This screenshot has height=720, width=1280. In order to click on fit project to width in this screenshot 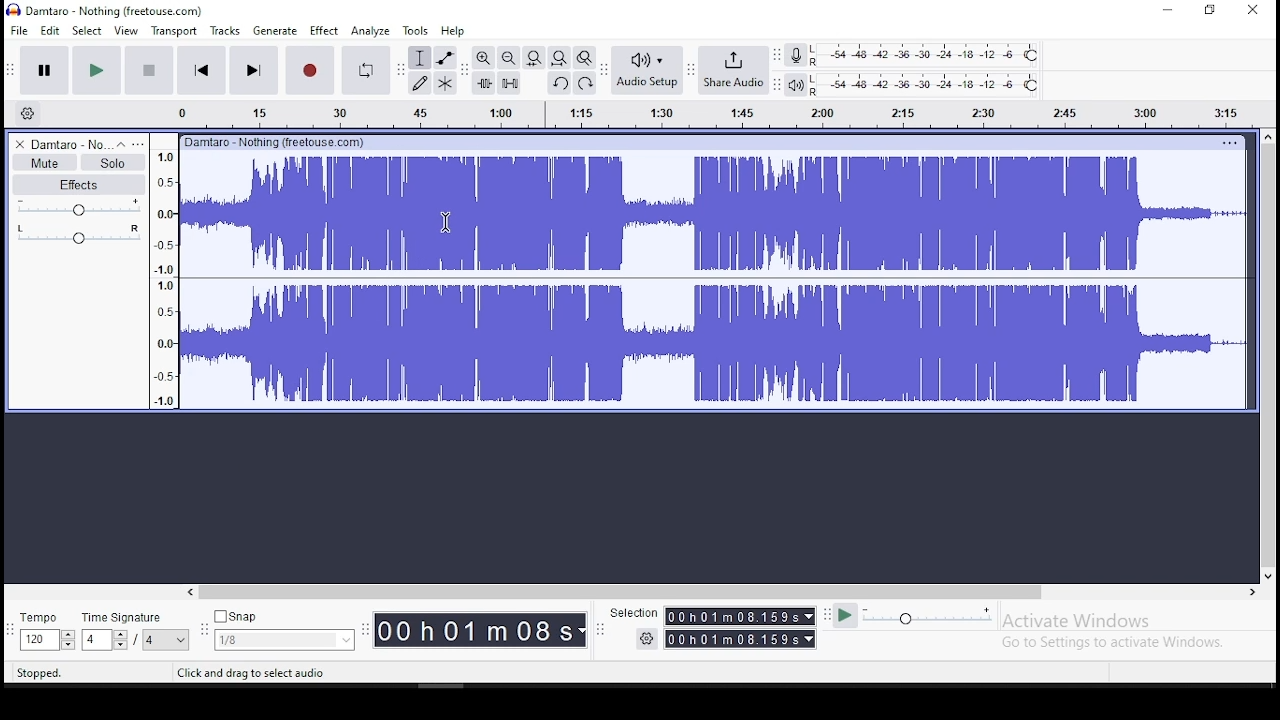, I will do `click(534, 58)`.